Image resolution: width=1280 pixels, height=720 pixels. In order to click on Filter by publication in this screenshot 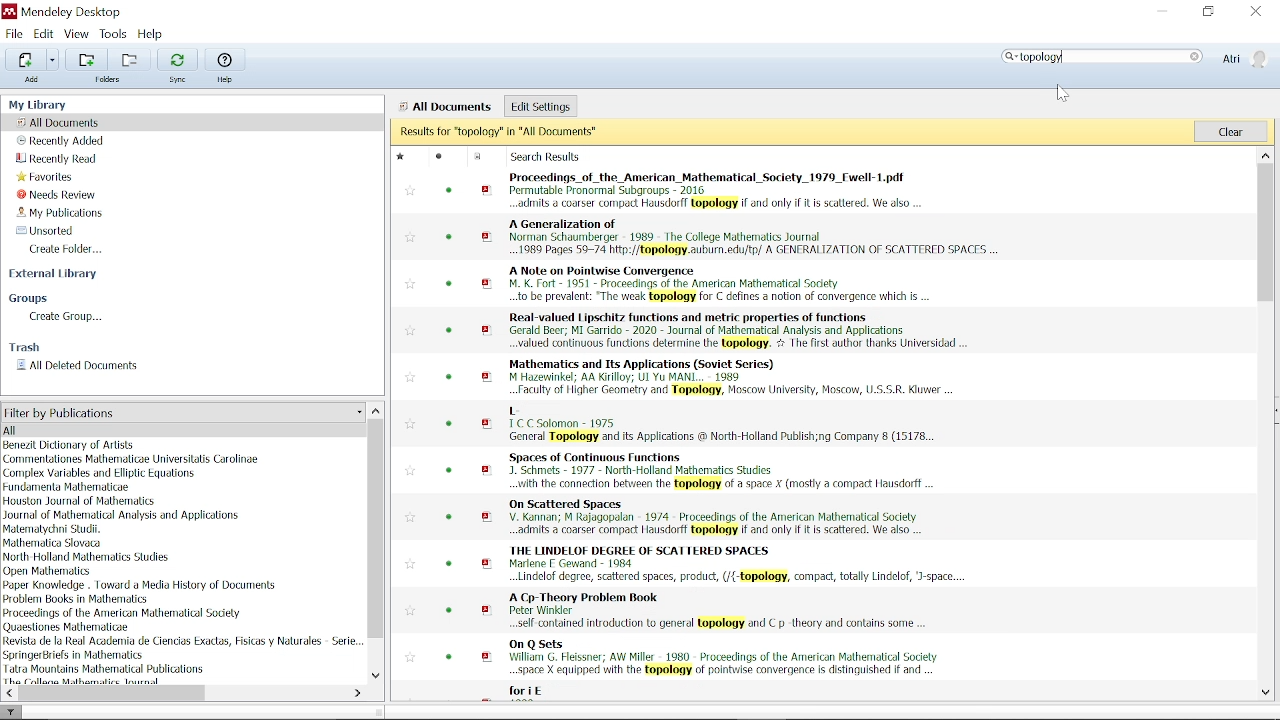, I will do `click(182, 413)`.